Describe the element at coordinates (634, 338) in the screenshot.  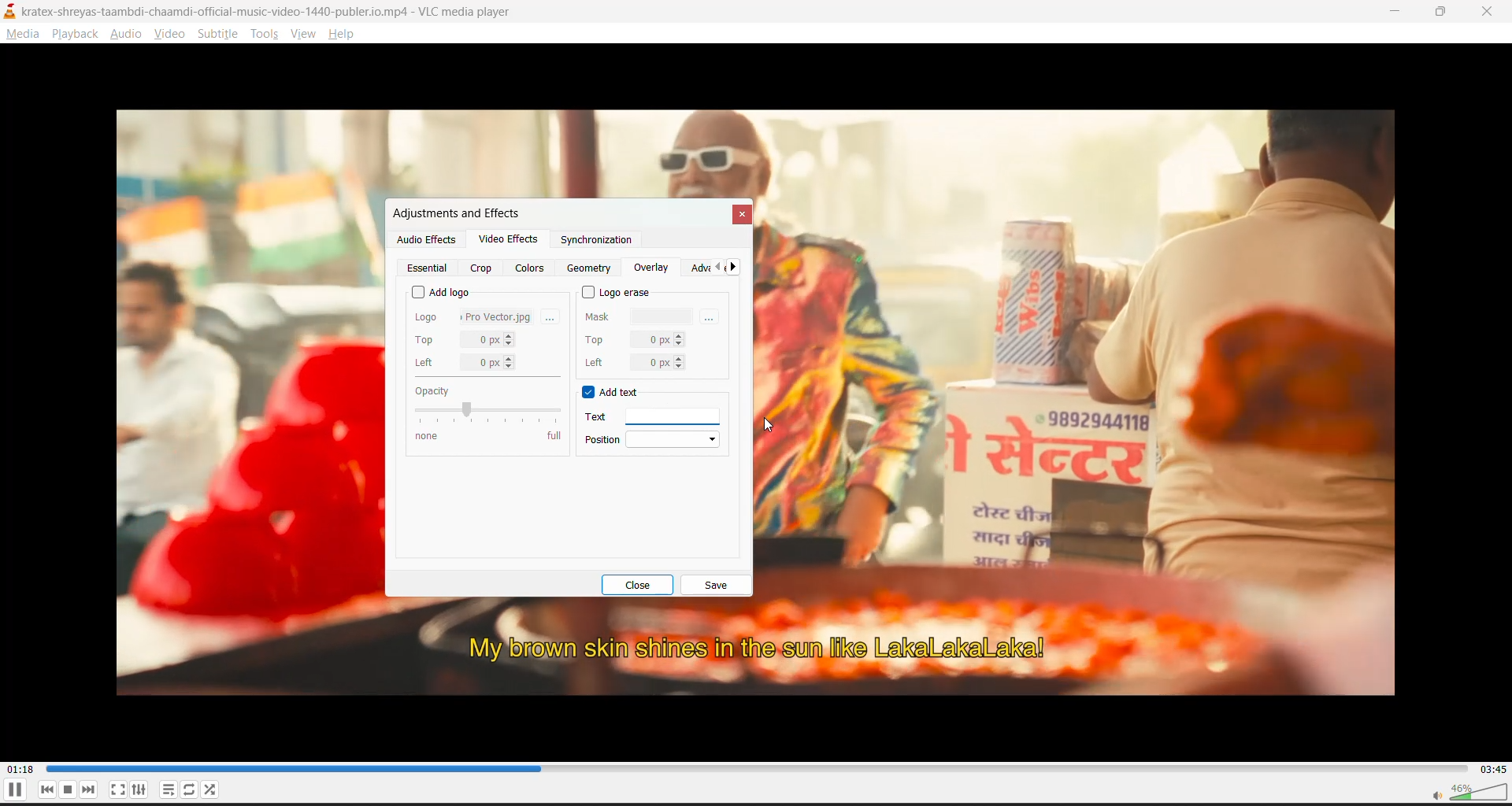
I see `top` at that location.